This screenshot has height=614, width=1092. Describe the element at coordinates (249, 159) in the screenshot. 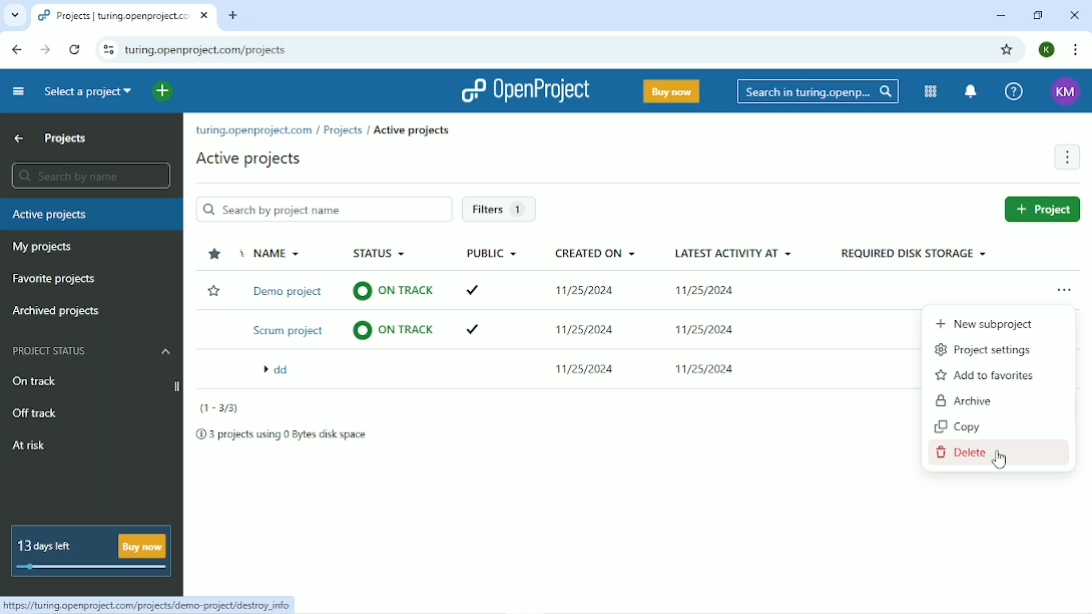

I see `Active projects` at that location.